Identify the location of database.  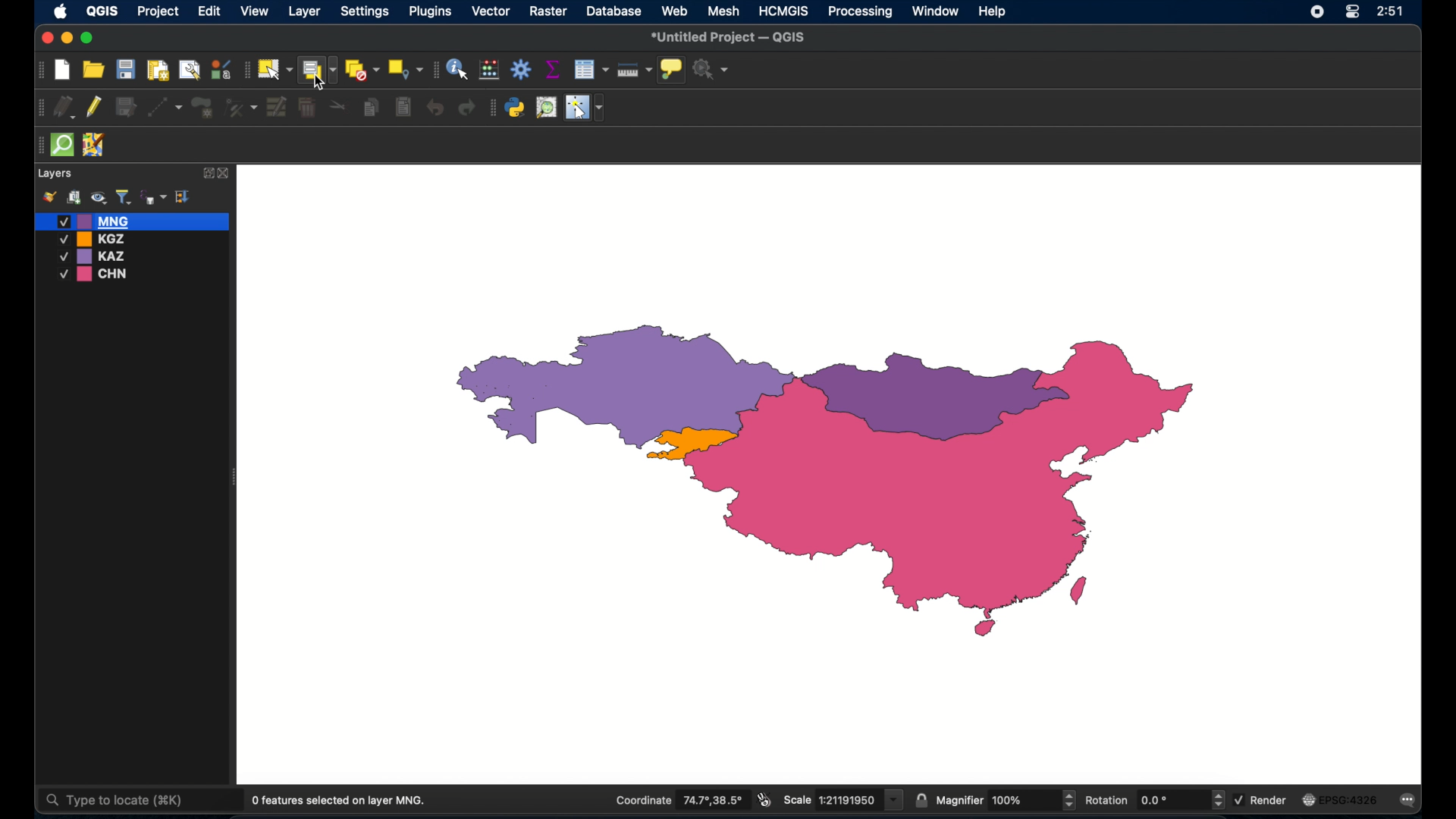
(613, 11).